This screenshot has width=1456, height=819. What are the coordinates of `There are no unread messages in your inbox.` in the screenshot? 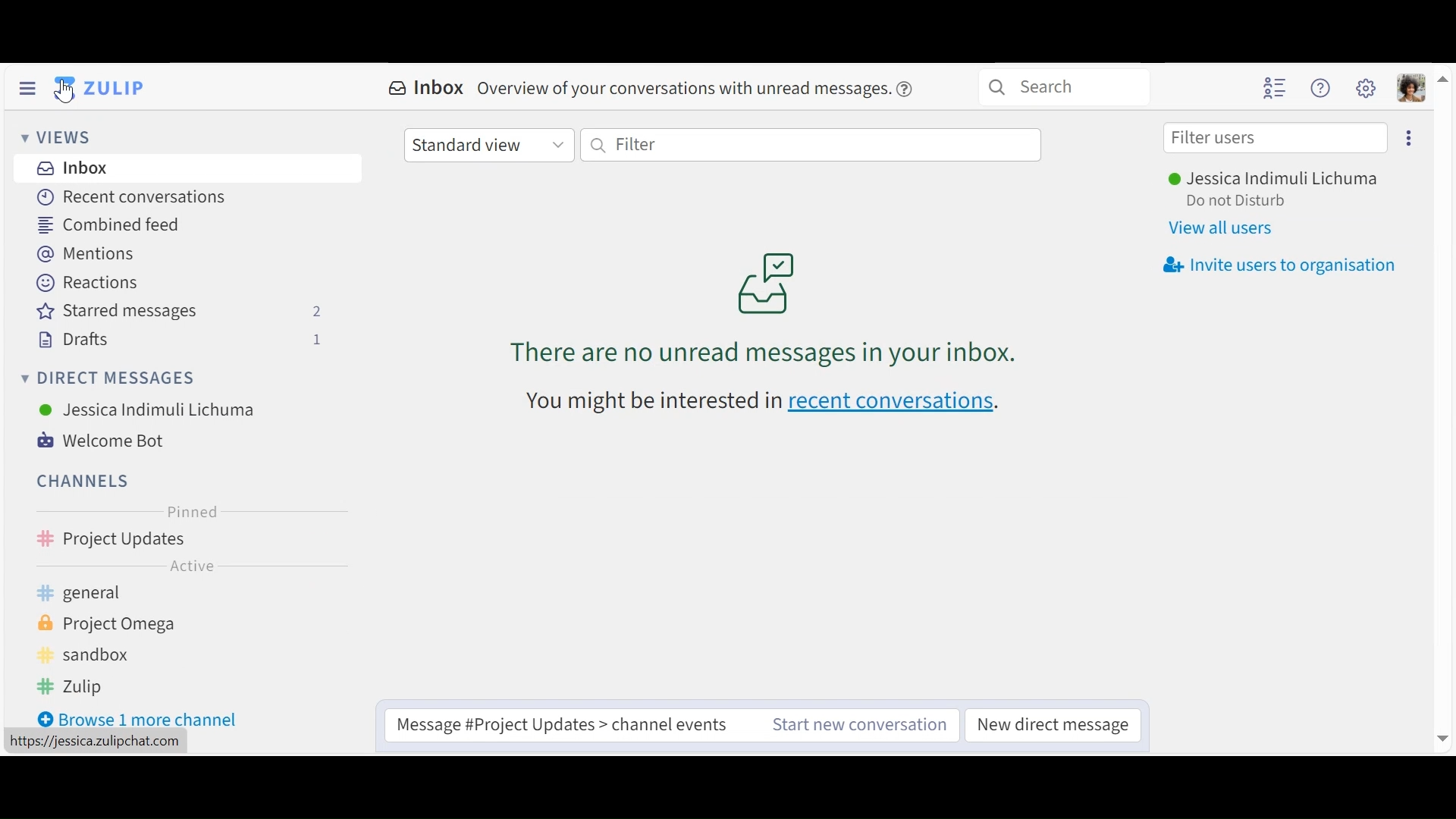 It's located at (766, 350).